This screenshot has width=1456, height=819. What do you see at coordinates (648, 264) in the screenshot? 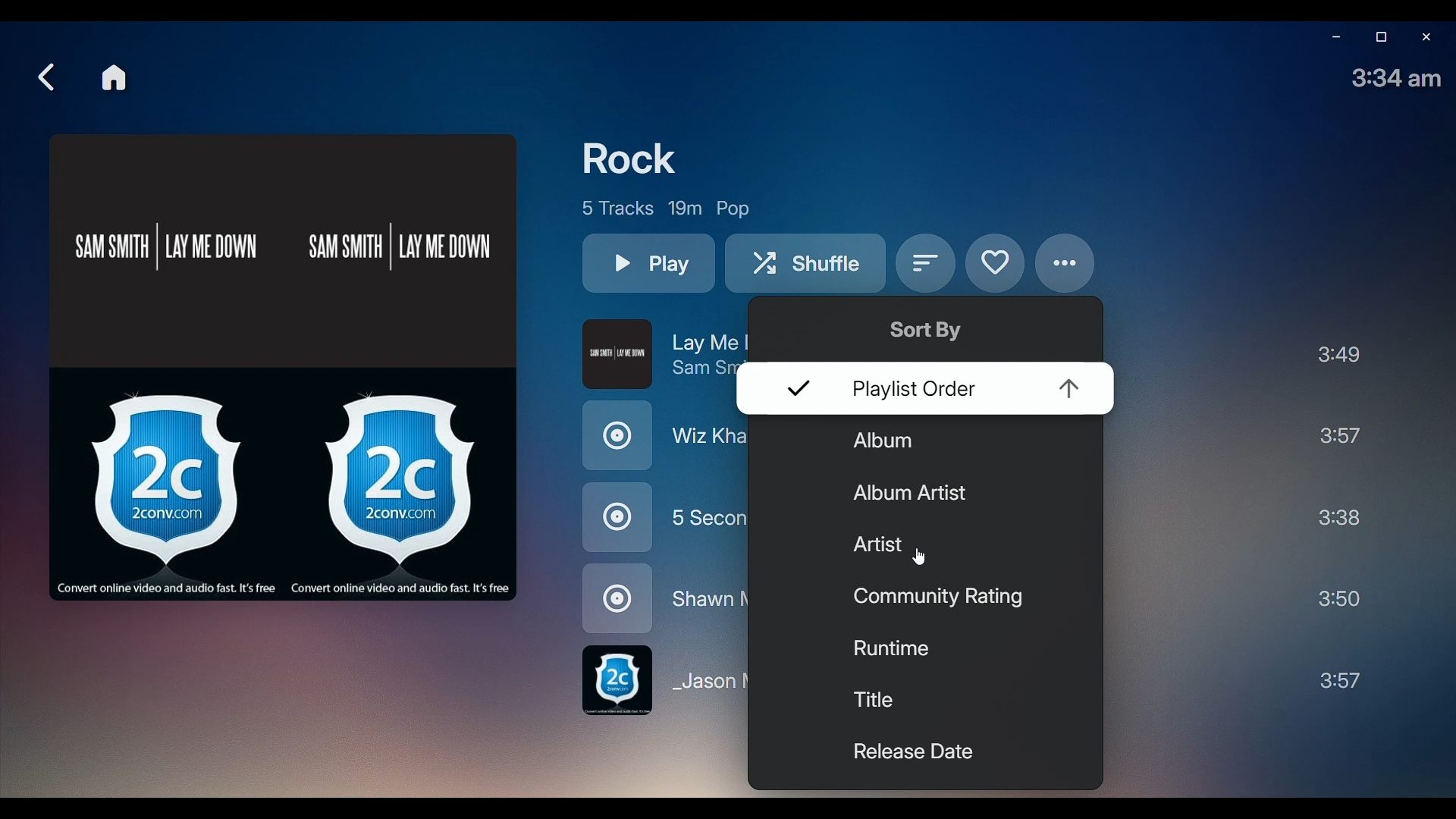
I see `Play` at bounding box center [648, 264].